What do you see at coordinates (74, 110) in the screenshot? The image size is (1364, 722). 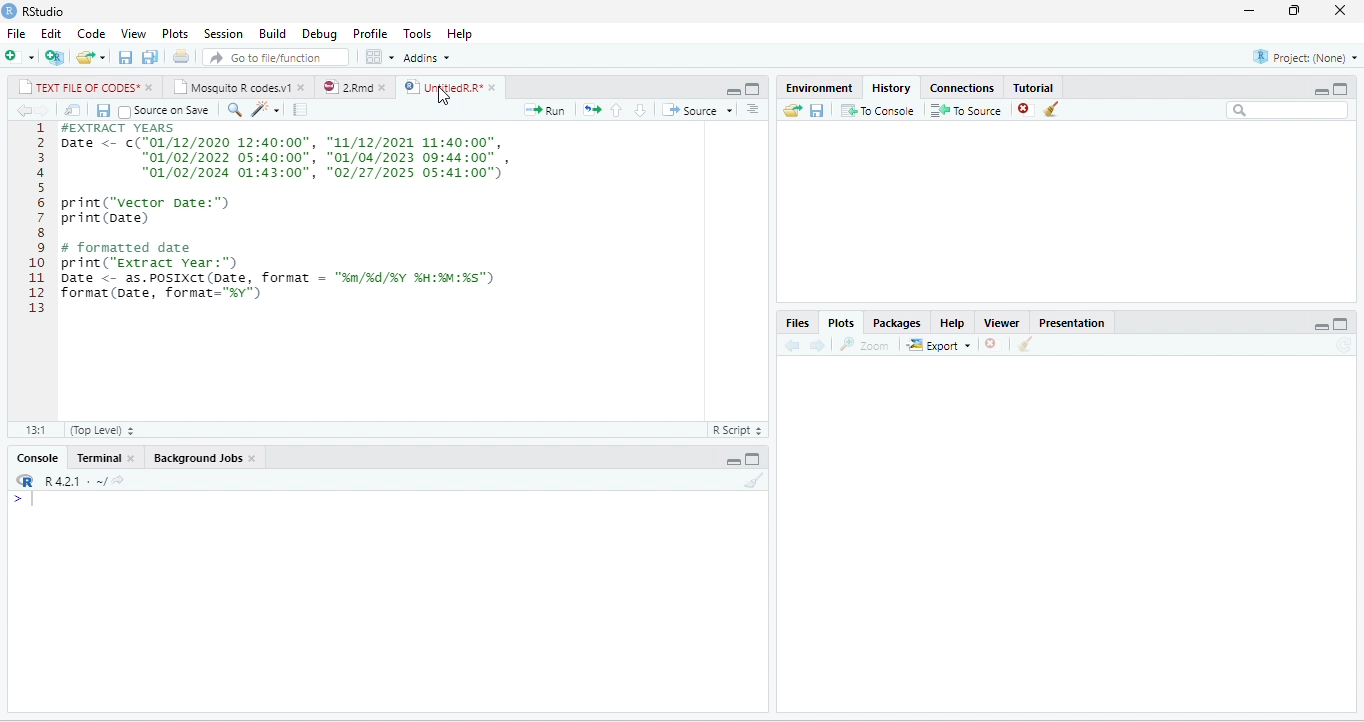 I see `open in new window` at bounding box center [74, 110].